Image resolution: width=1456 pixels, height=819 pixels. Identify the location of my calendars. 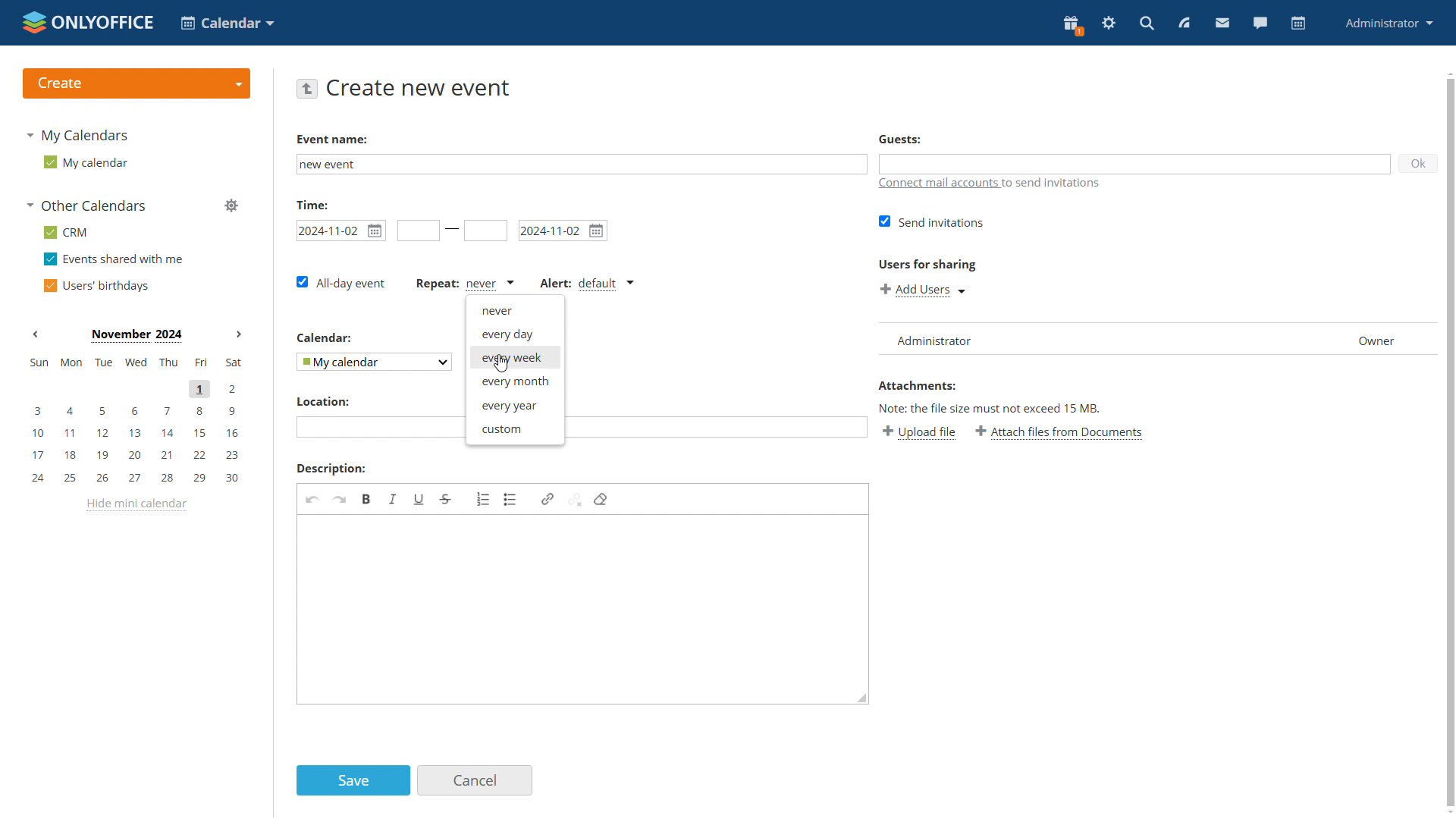
(80, 133).